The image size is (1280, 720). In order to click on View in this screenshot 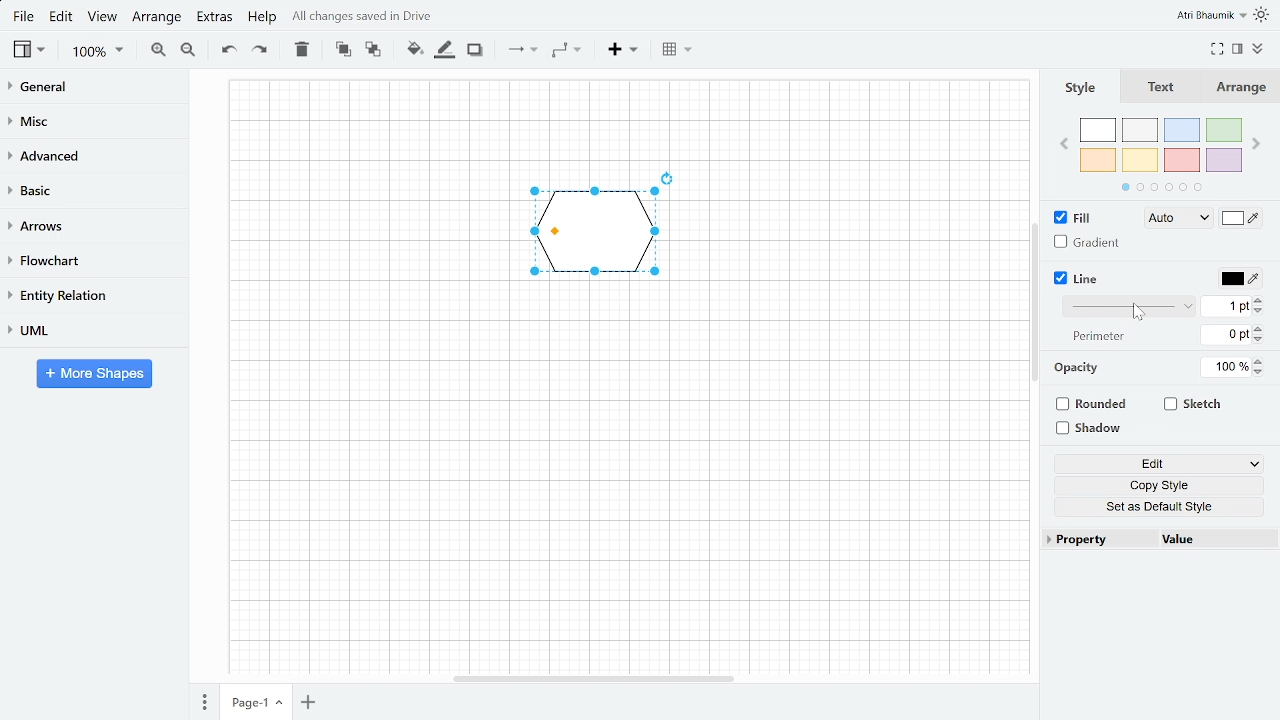, I will do `click(100, 17)`.